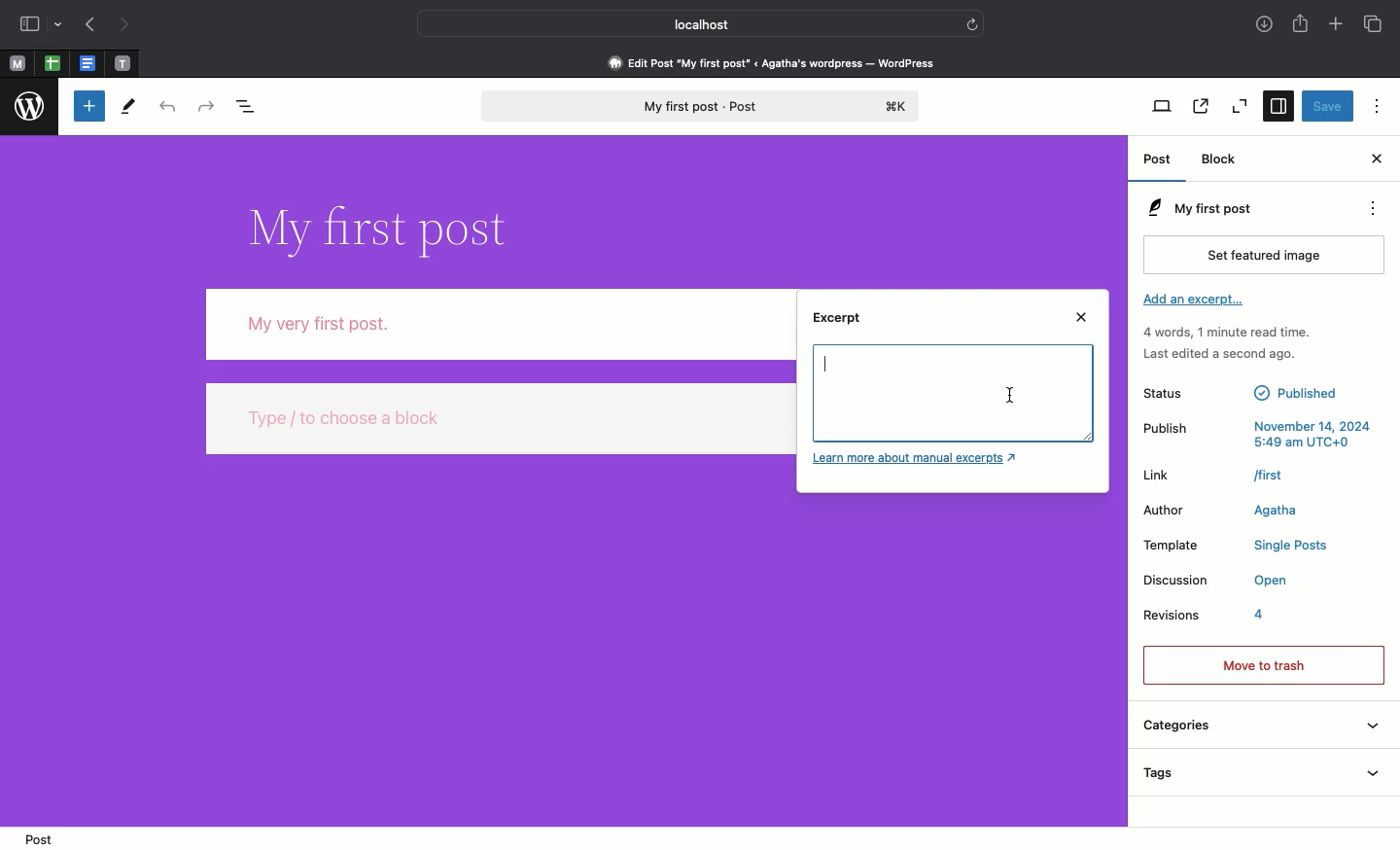 The height and width of the screenshot is (850, 1400). Describe the element at coordinates (165, 108) in the screenshot. I see `Undo` at that location.